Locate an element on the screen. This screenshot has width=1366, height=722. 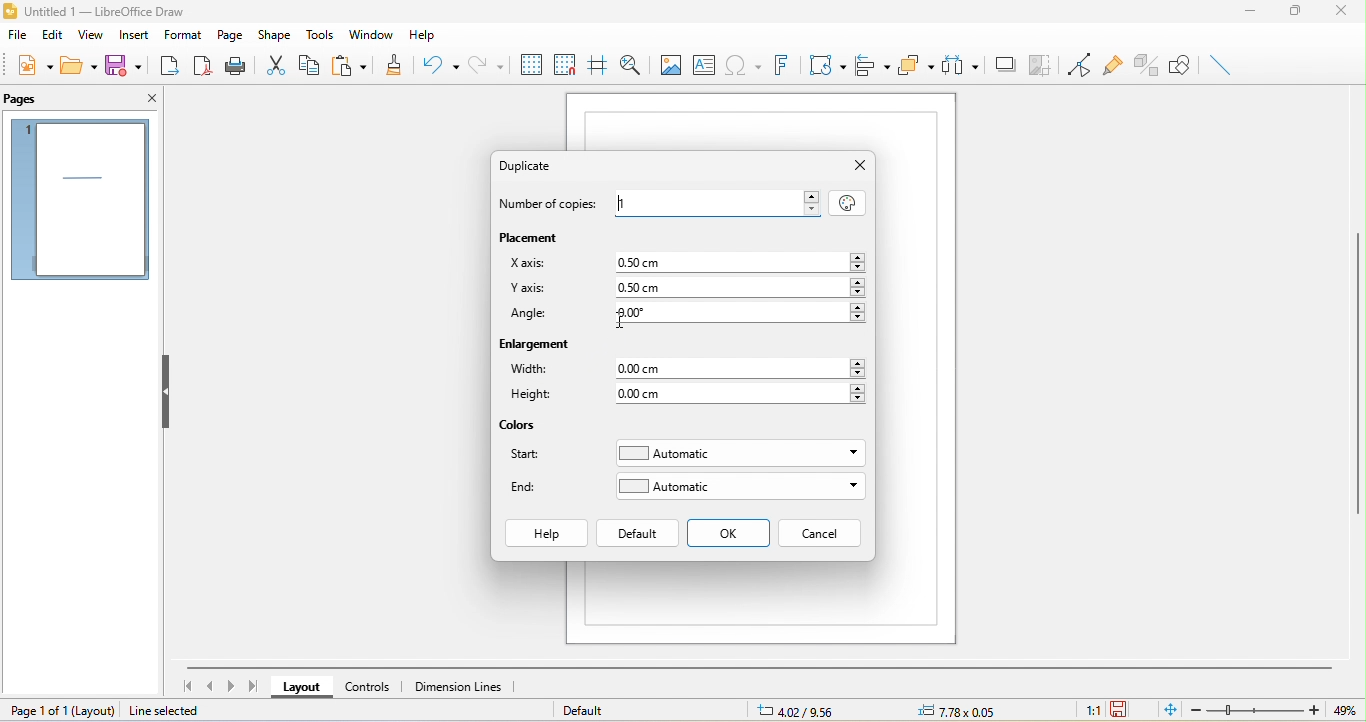
shadow is located at coordinates (1006, 65).